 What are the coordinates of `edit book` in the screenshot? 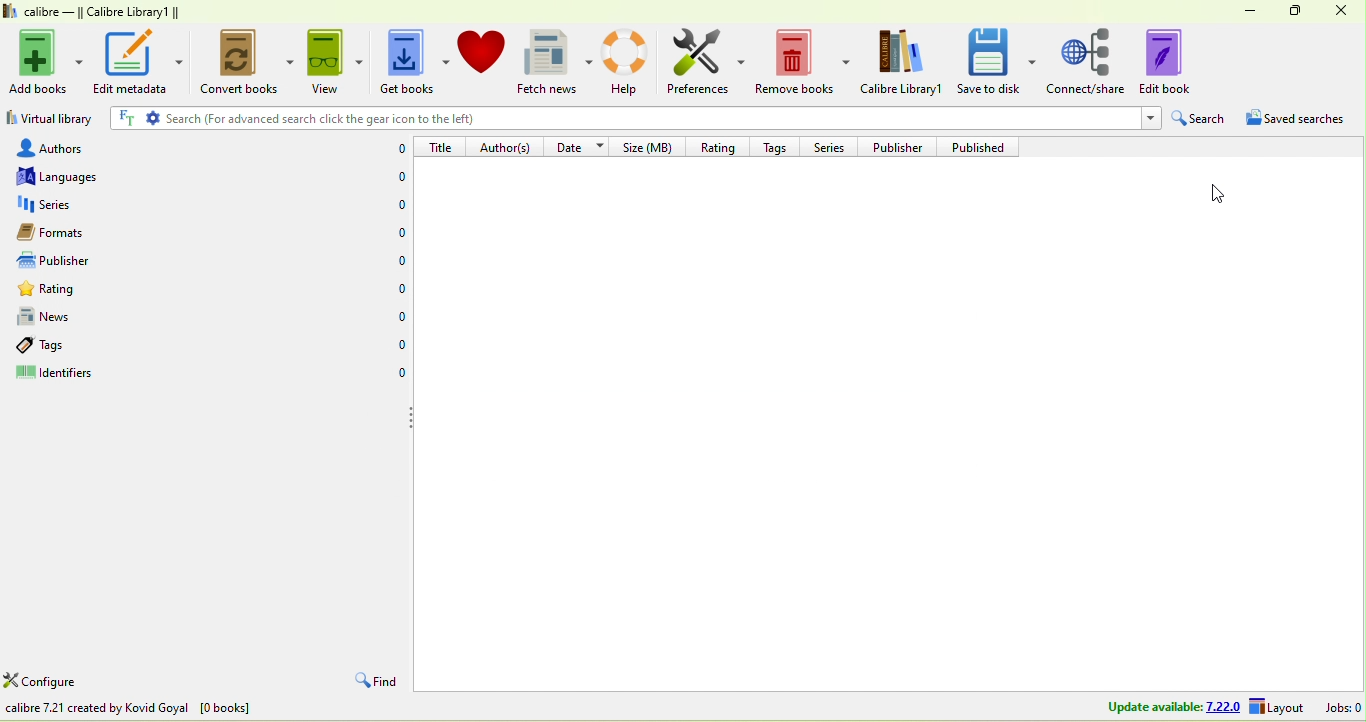 It's located at (1179, 60).